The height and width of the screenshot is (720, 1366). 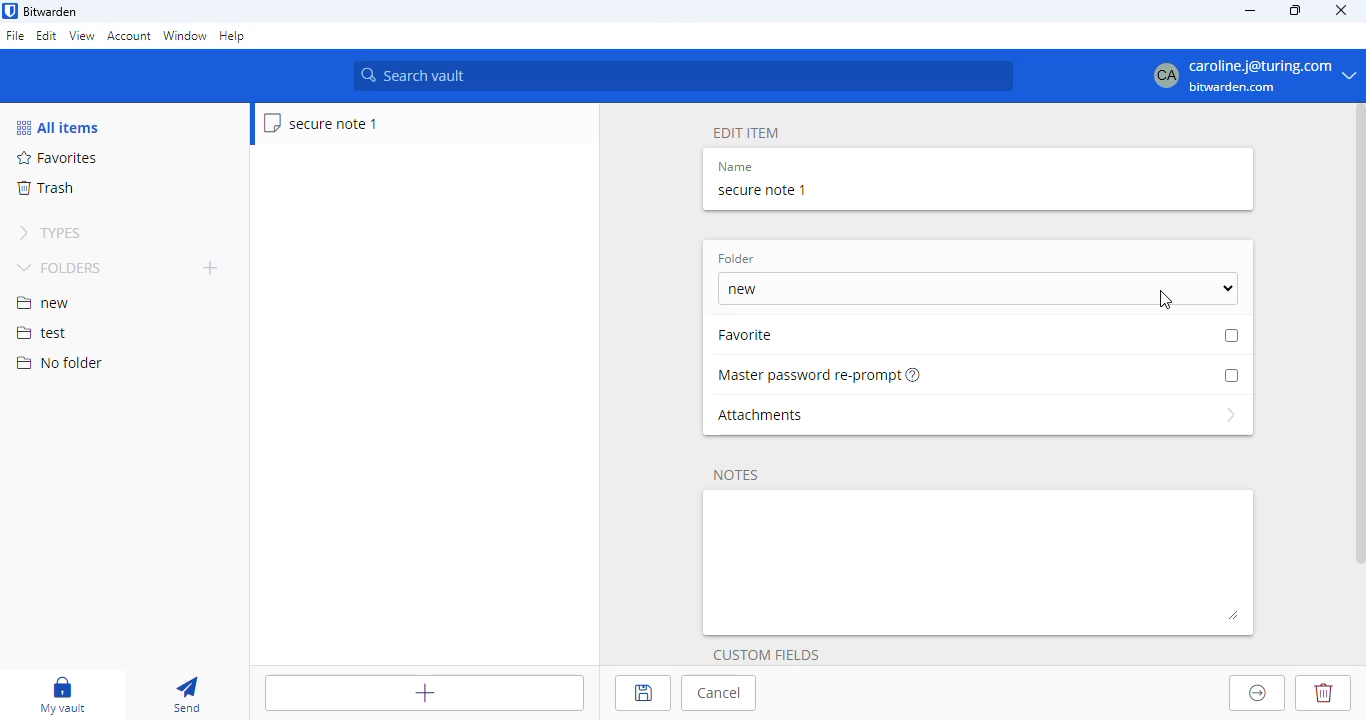 I want to click on test, so click(x=42, y=334).